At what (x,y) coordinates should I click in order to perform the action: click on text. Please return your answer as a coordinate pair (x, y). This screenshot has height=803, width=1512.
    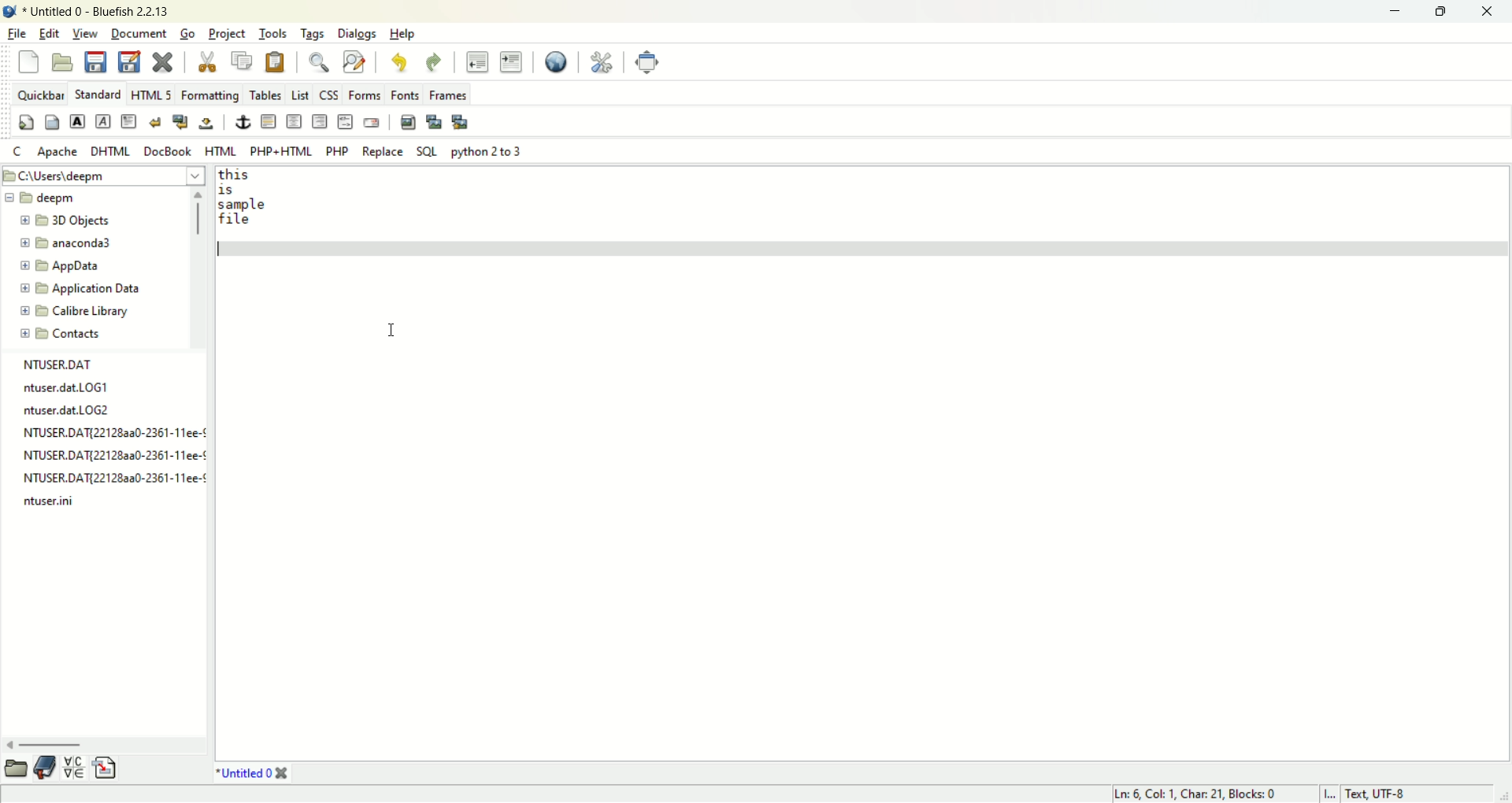
    Looking at the image, I should click on (244, 201).